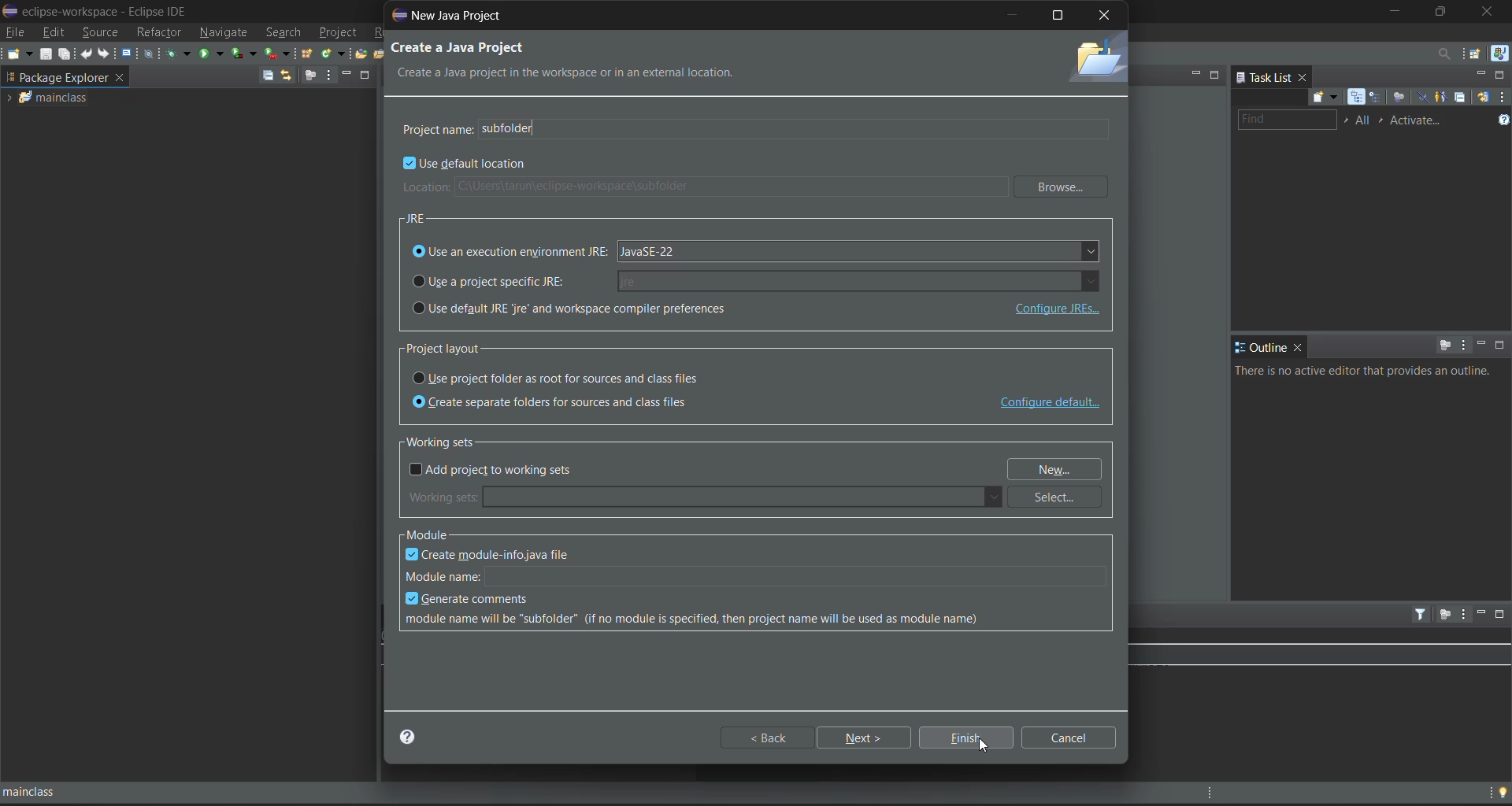  Describe the element at coordinates (55, 31) in the screenshot. I see `edit` at that location.